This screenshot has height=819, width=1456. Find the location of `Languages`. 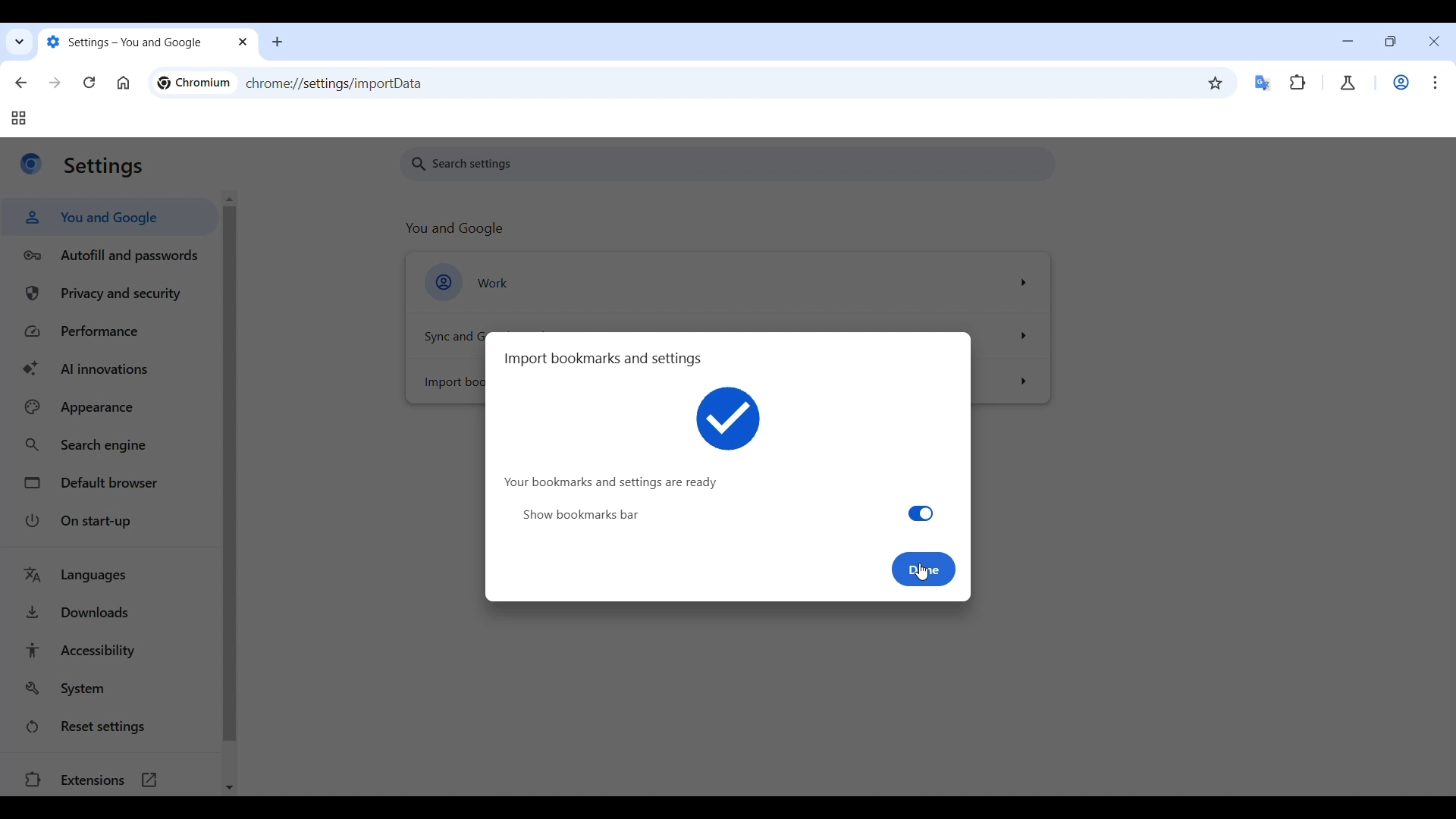

Languages is located at coordinates (110, 576).